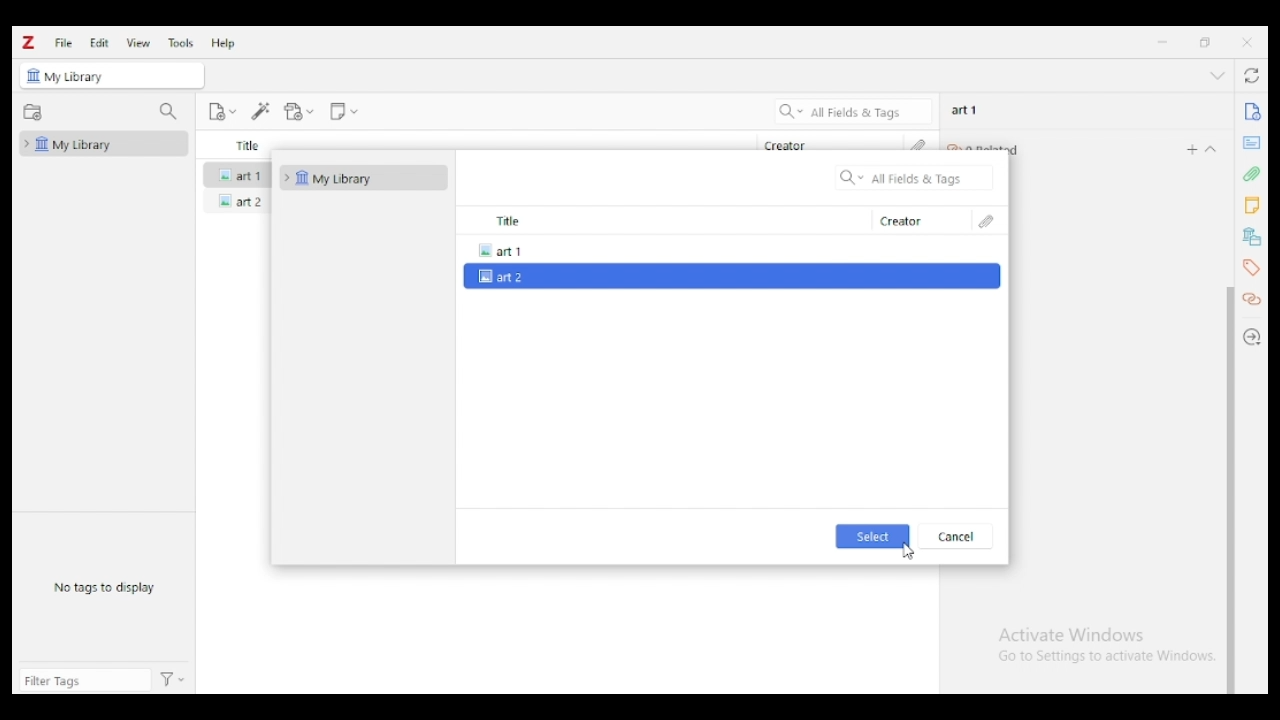 The image size is (1280, 720). What do you see at coordinates (237, 173) in the screenshot?
I see `art 1` at bounding box center [237, 173].